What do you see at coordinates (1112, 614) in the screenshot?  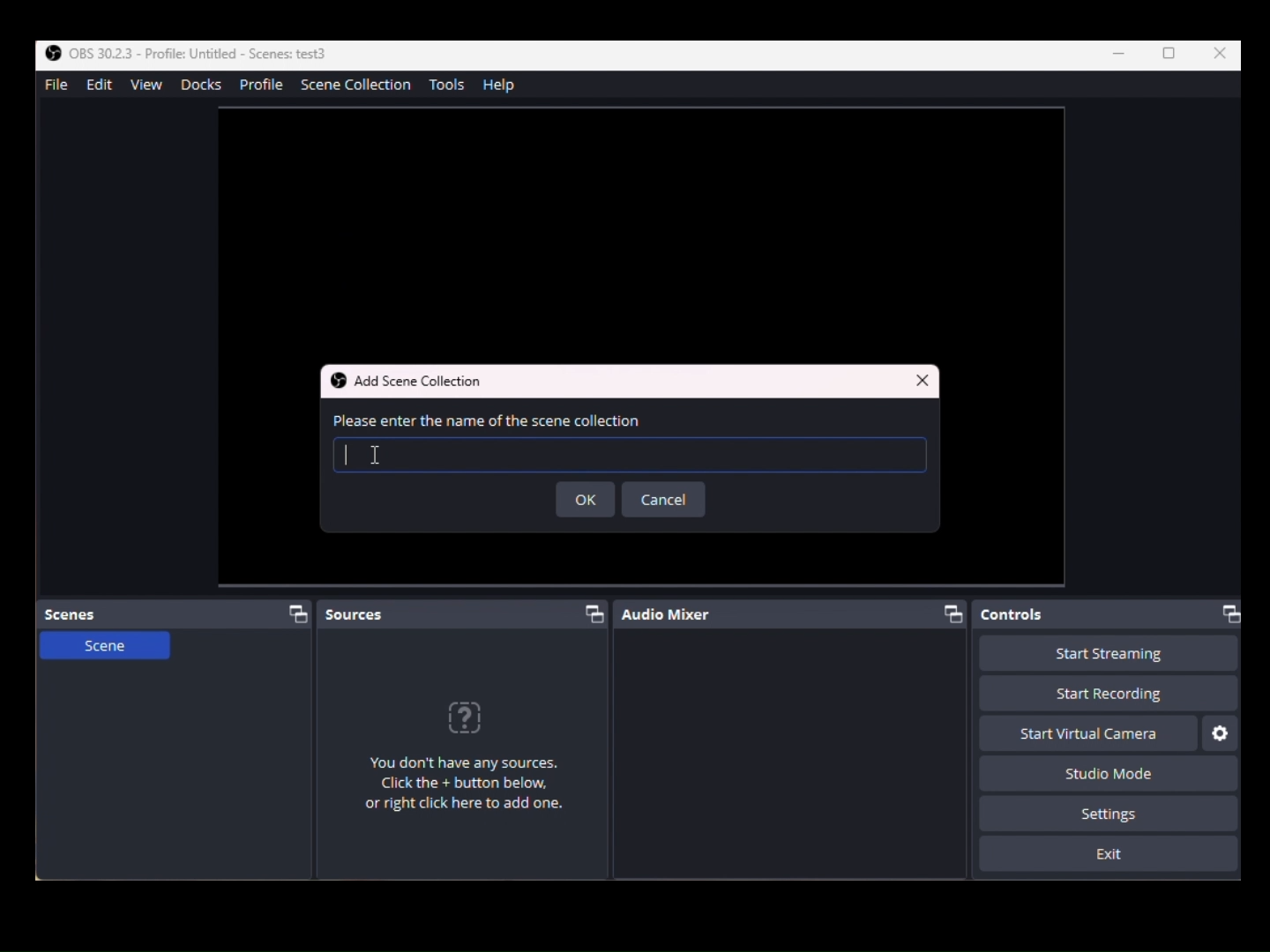 I see `Controls` at bounding box center [1112, 614].